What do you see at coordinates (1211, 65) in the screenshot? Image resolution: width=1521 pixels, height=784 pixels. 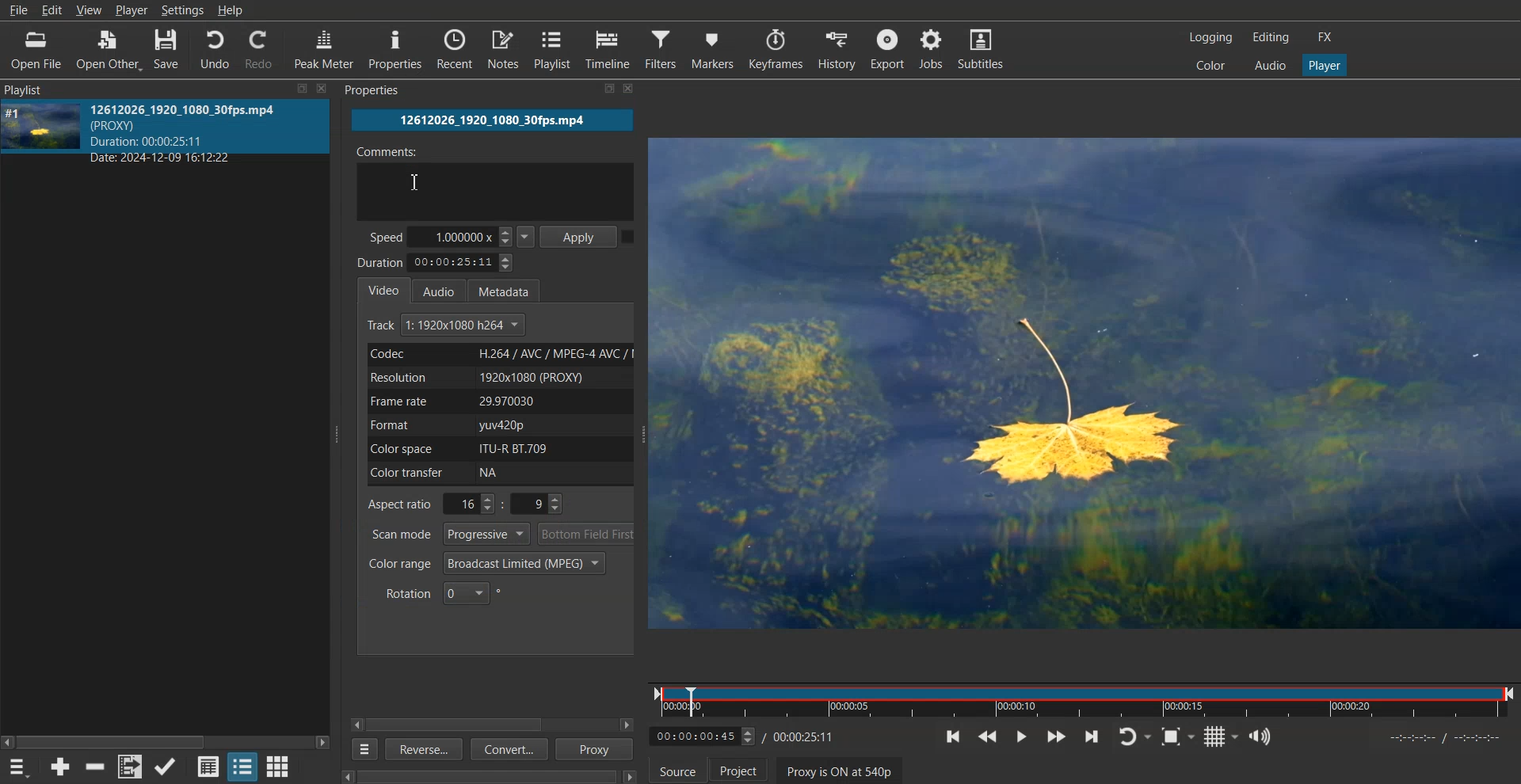 I see `Color` at bounding box center [1211, 65].